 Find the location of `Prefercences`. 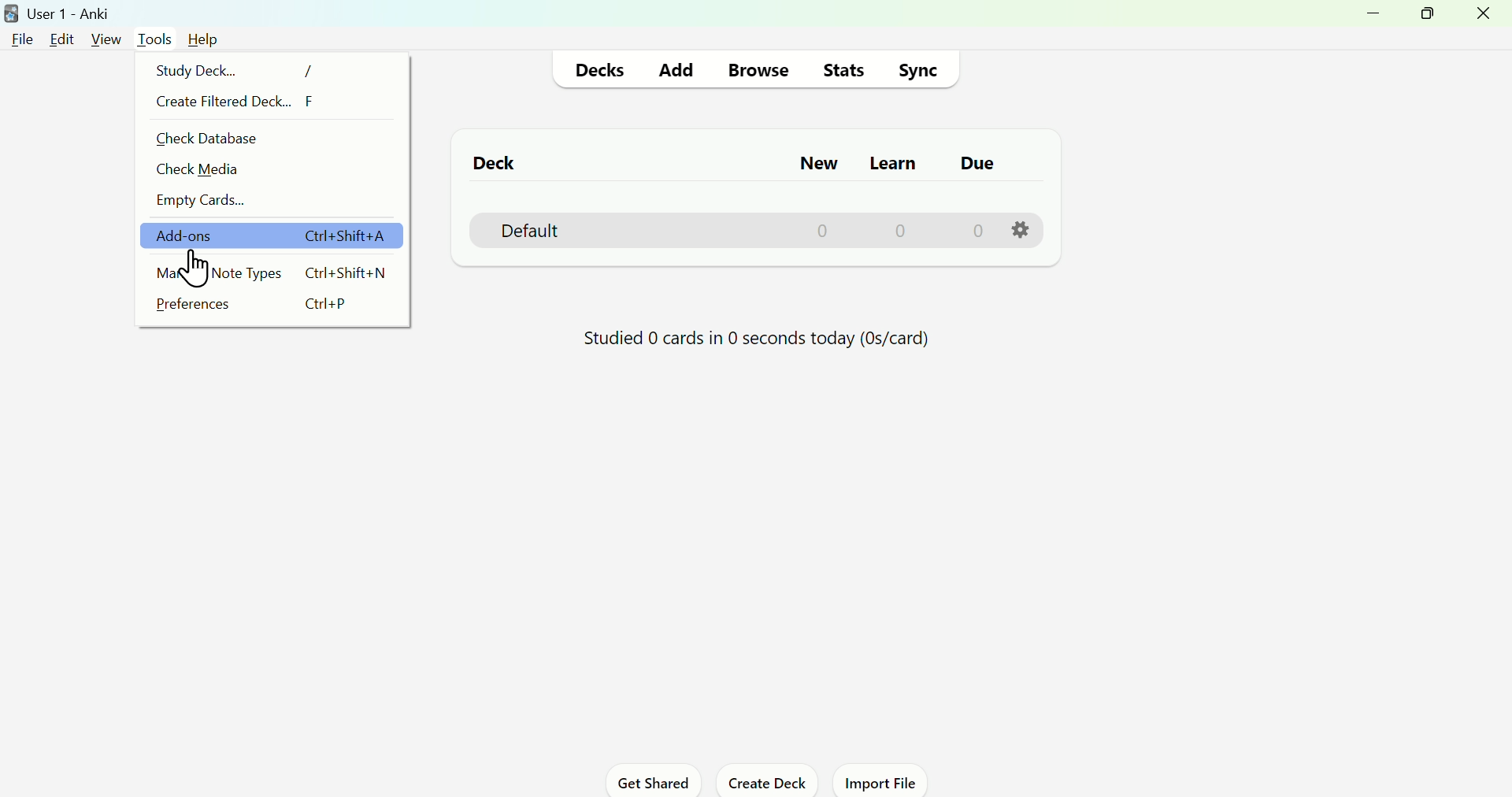

Prefercences is located at coordinates (254, 306).